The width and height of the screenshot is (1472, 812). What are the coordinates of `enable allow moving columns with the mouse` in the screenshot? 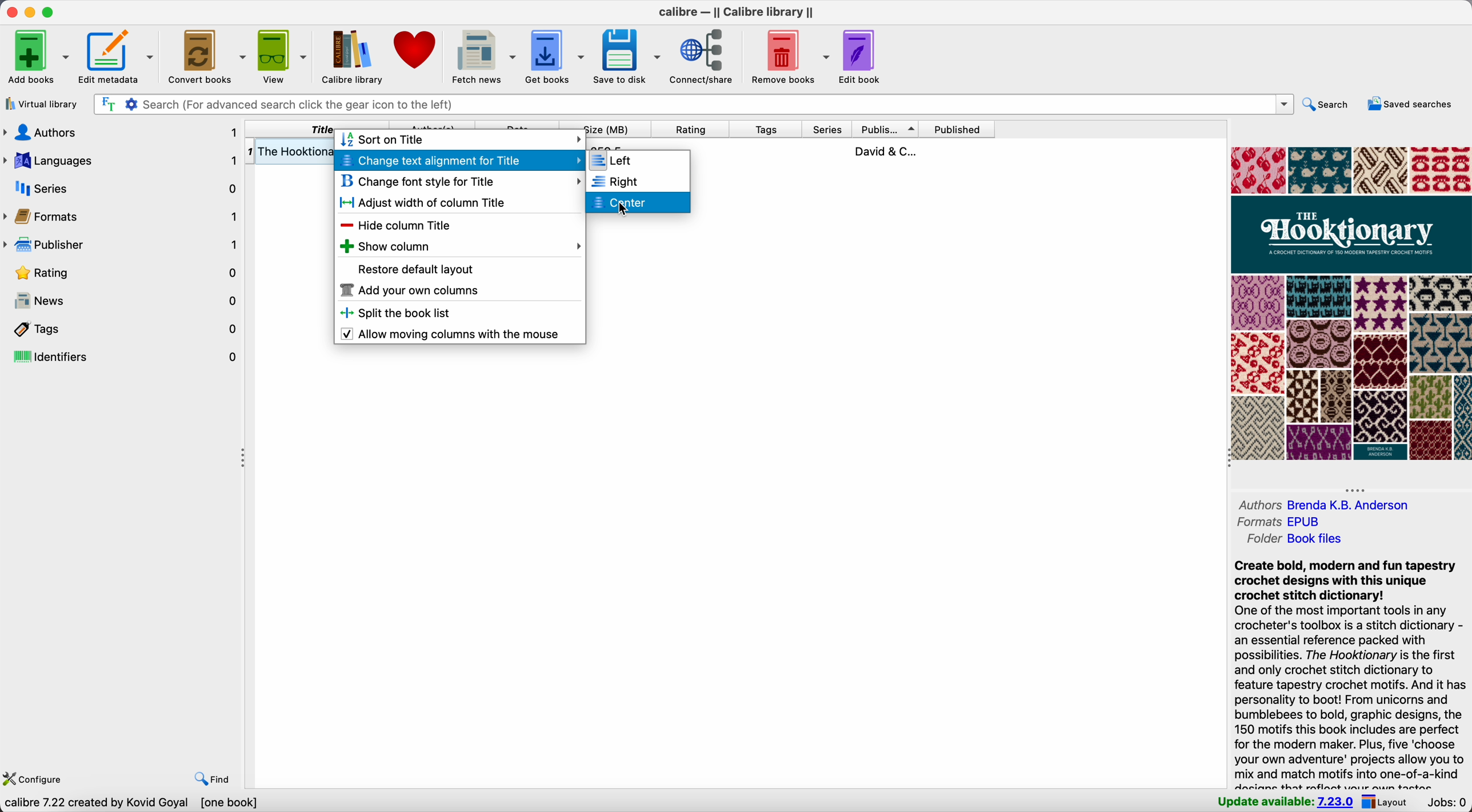 It's located at (452, 335).